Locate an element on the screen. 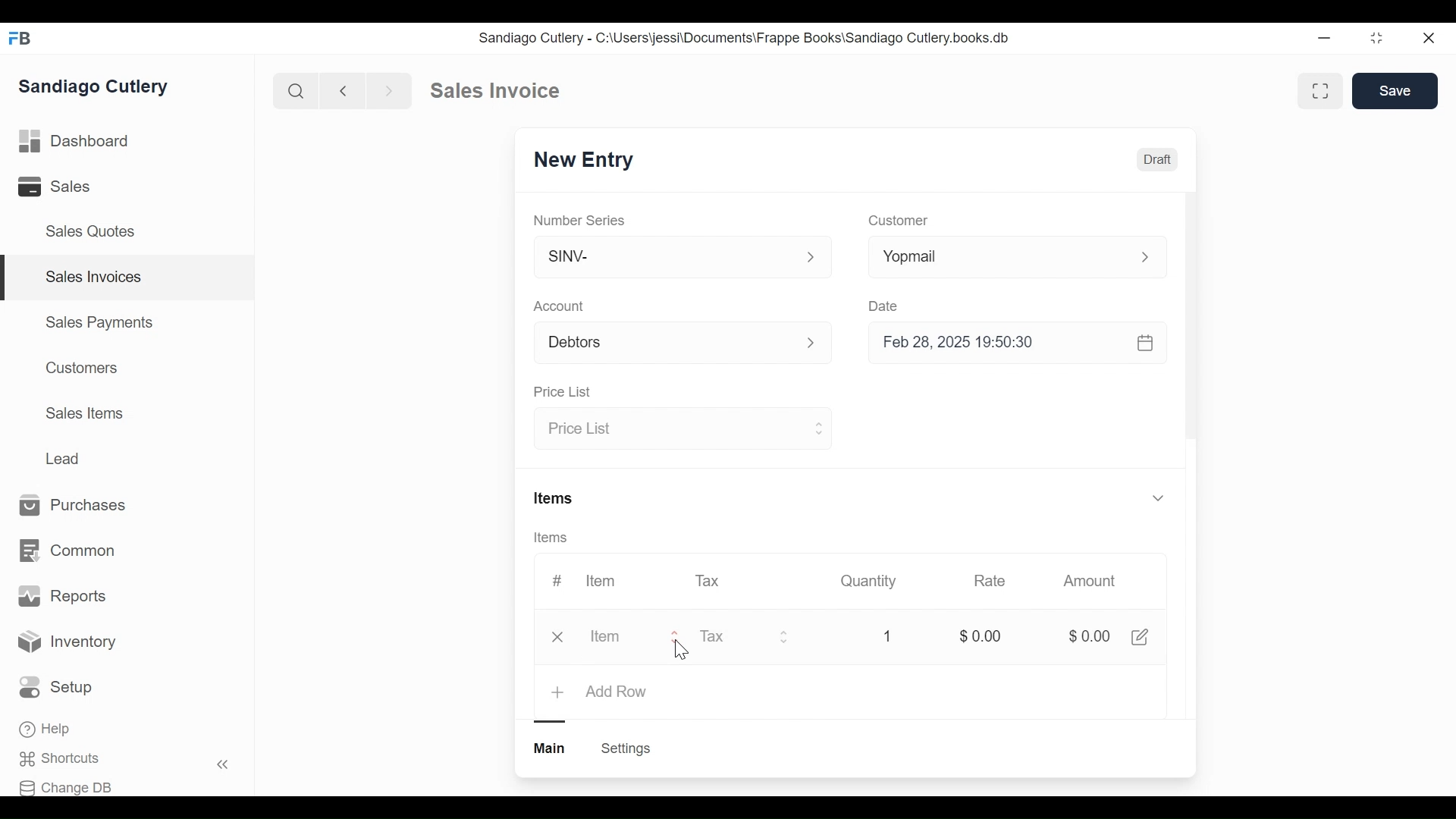  search is located at coordinates (297, 92).